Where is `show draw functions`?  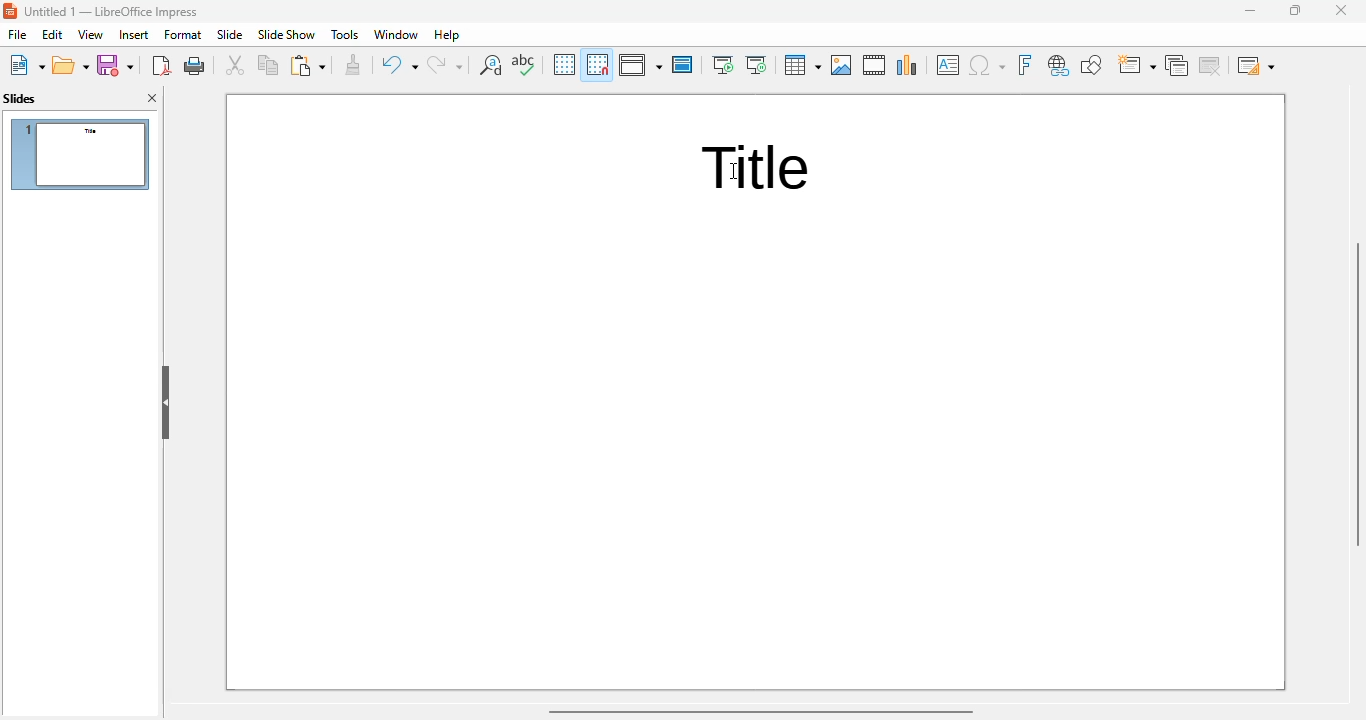 show draw functions is located at coordinates (1092, 65).